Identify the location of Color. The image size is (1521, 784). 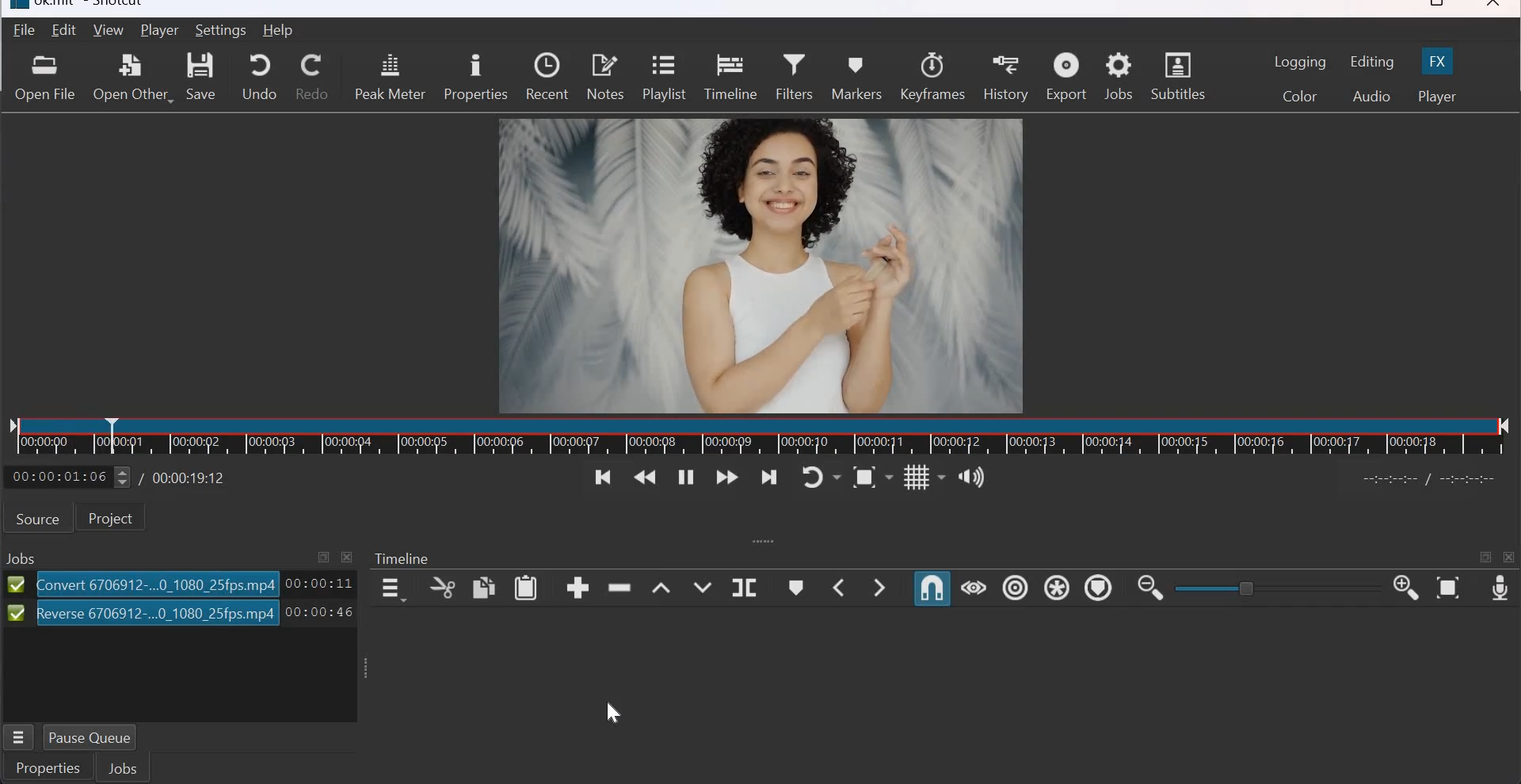
(1298, 95).